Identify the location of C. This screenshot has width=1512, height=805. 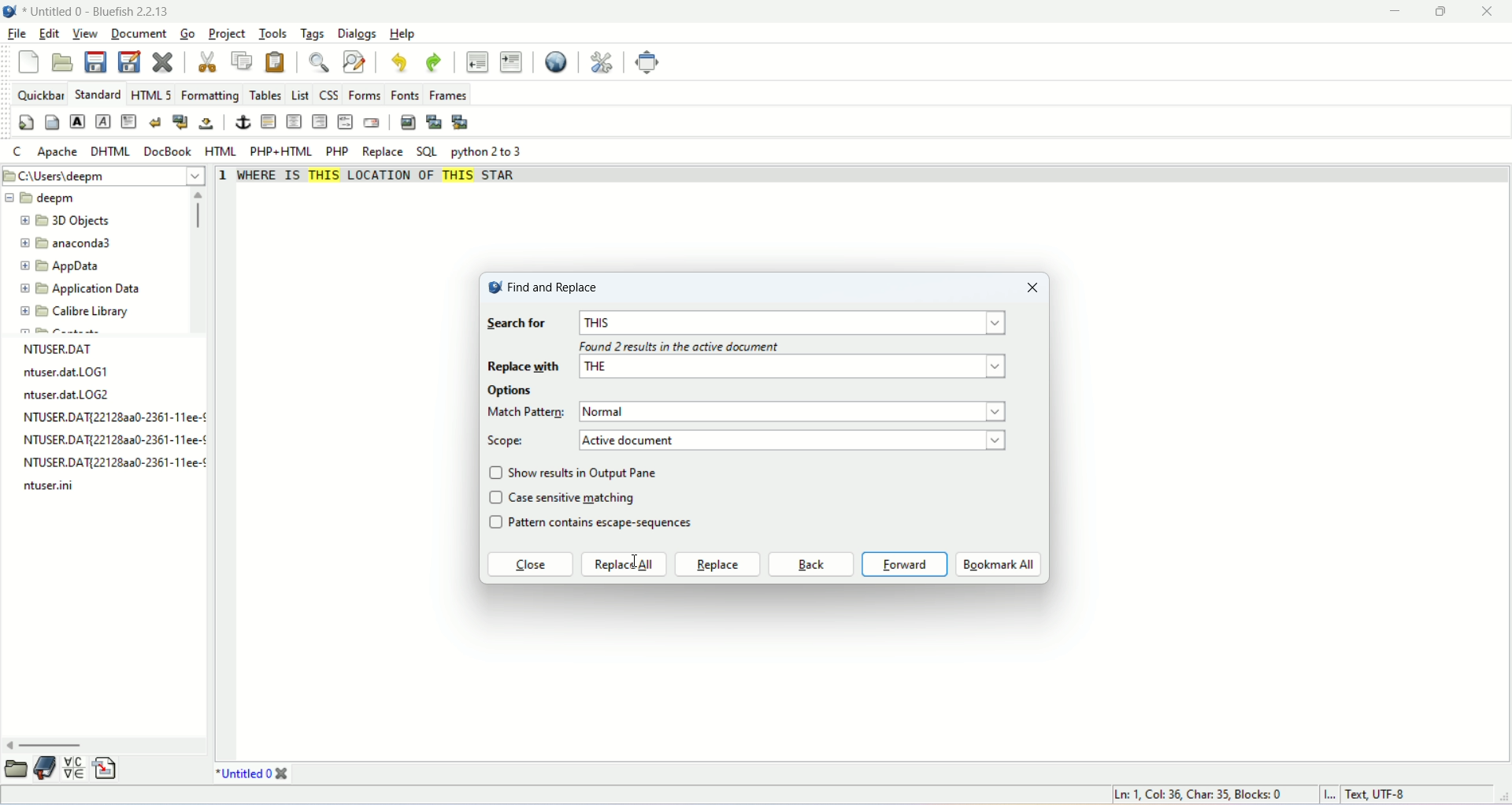
(19, 154).